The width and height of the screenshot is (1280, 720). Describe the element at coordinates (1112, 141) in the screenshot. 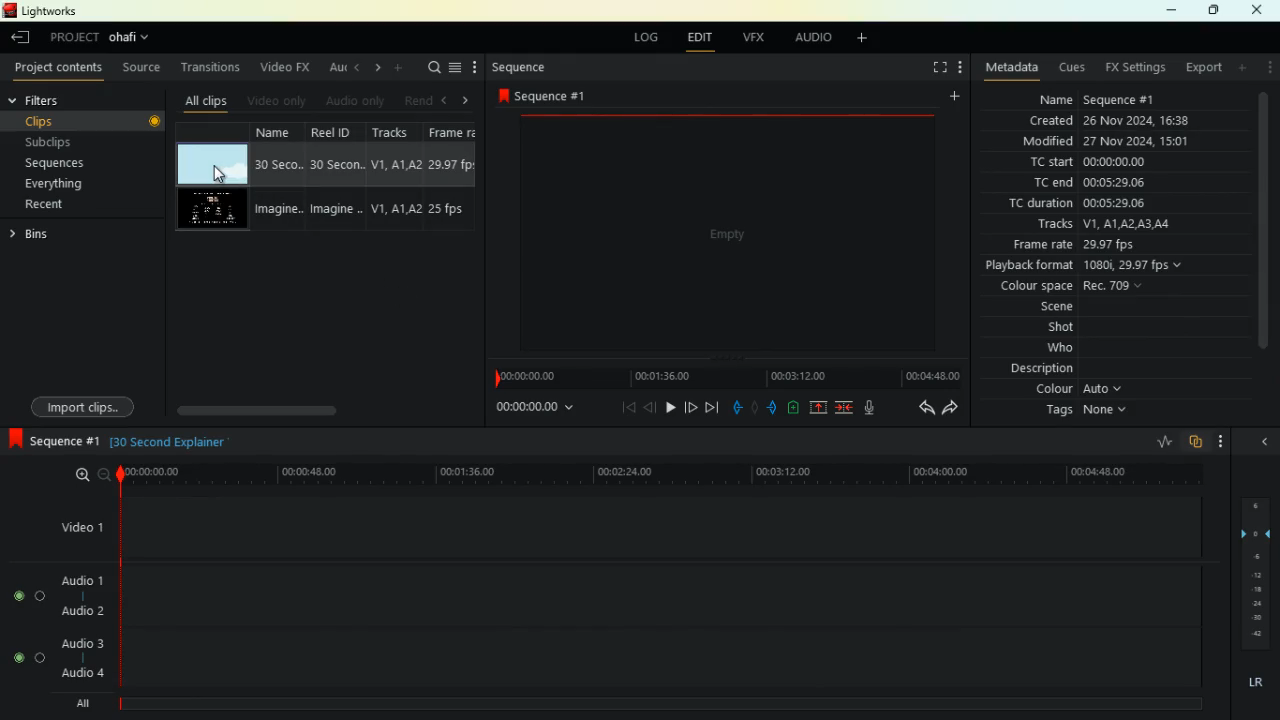

I see `modified 27 Nov 2024, 15:01` at that location.